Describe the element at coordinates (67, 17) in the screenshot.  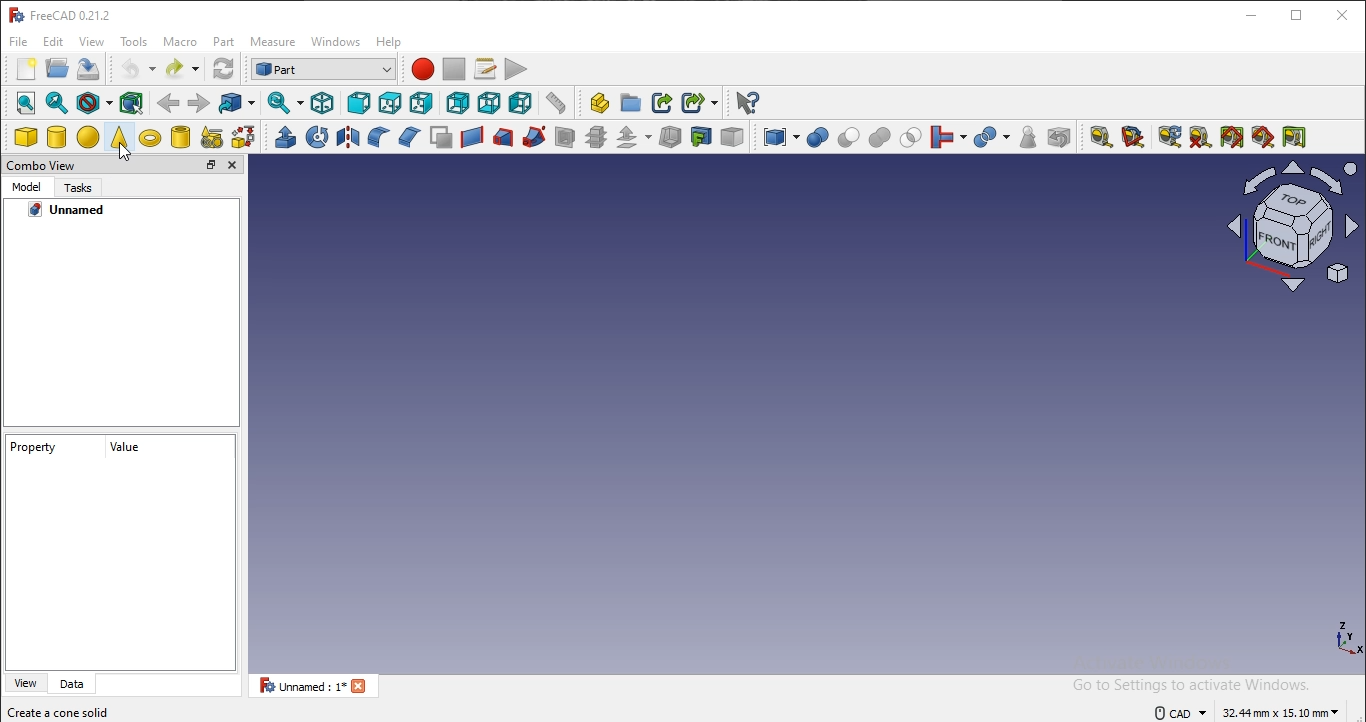
I see `text` at that location.